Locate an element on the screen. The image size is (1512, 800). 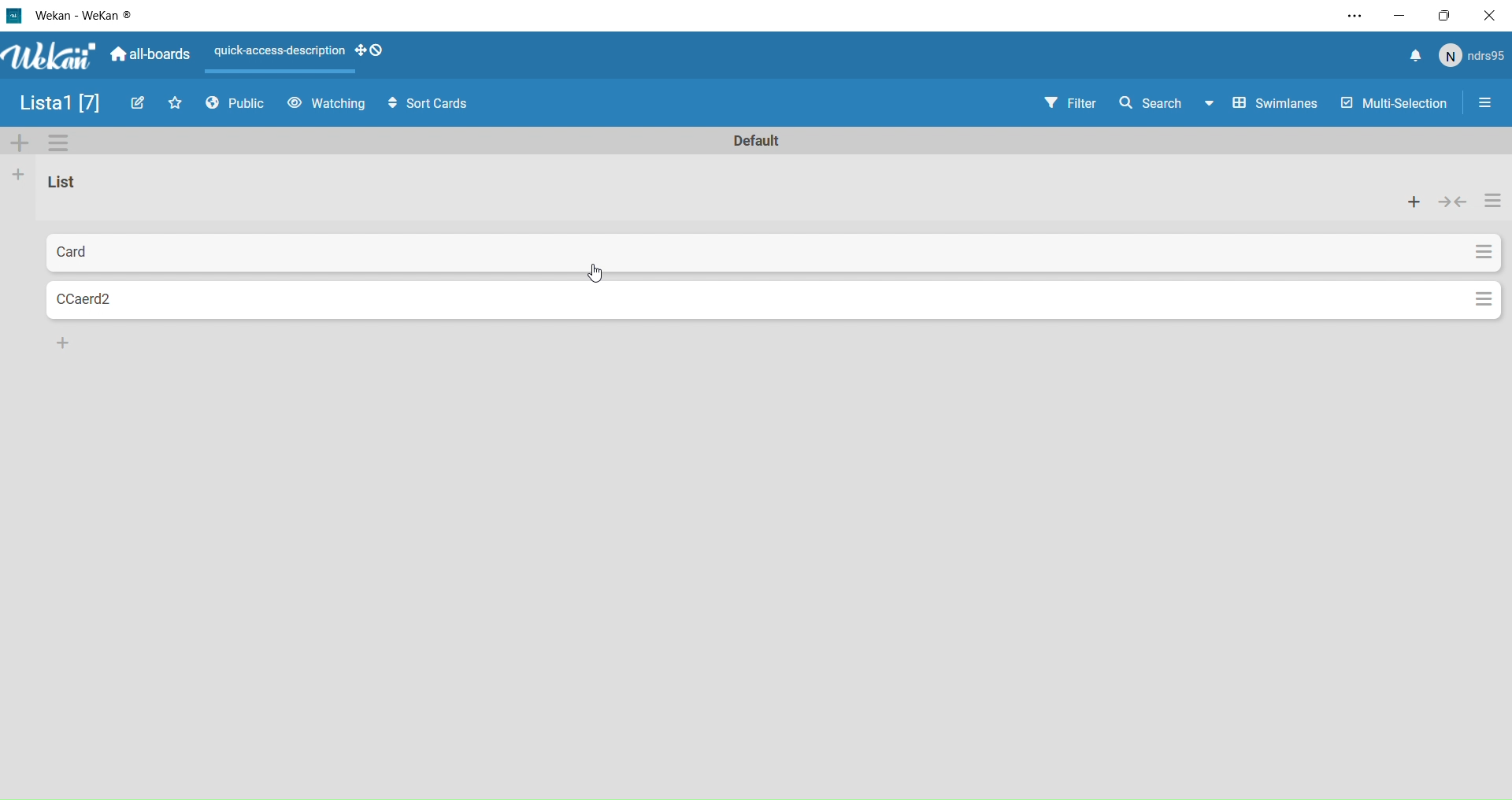
Notify is located at coordinates (1414, 58).